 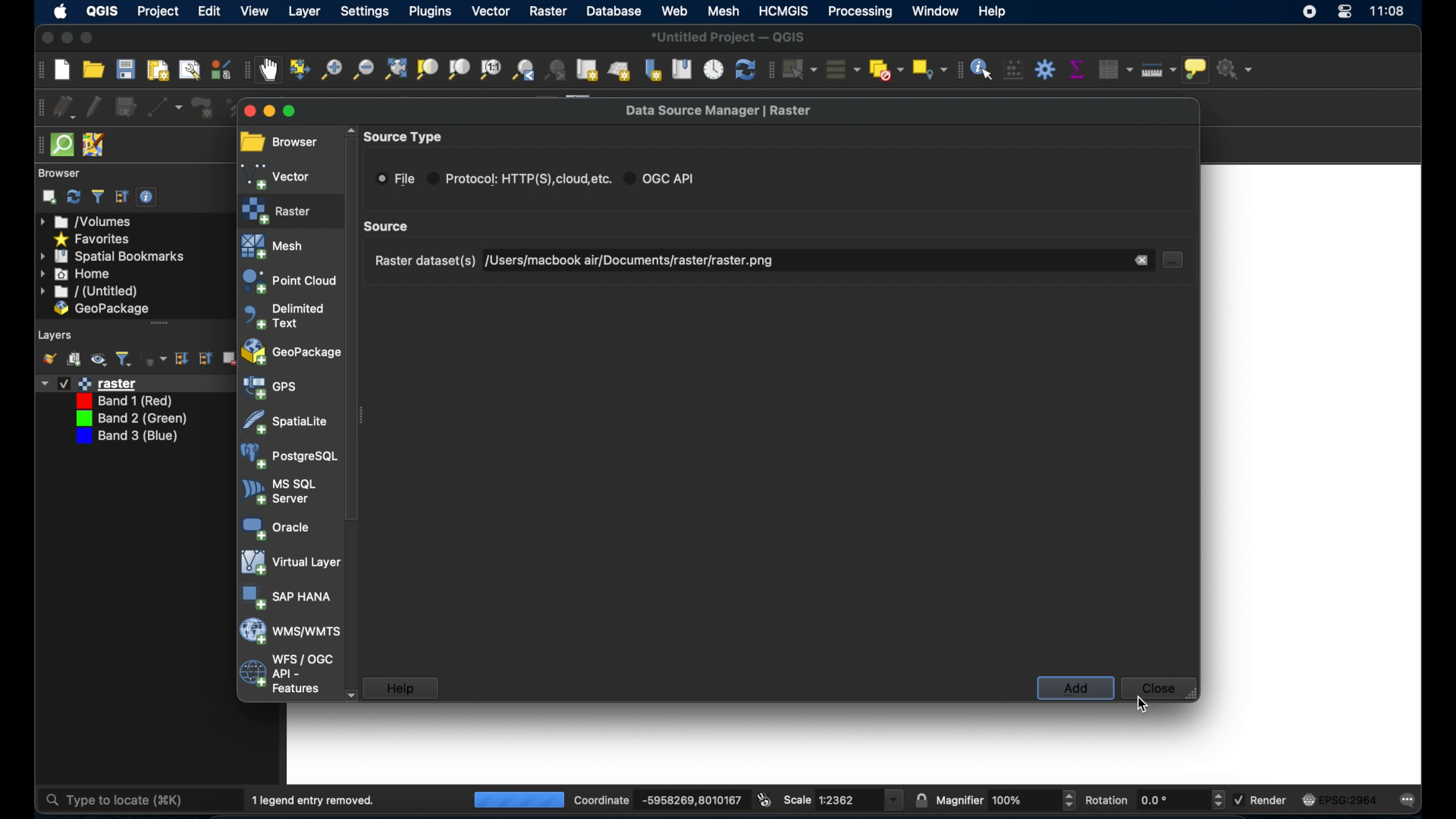 What do you see at coordinates (66, 38) in the screenshot?
I see `minimize` at bounding box center [66, 38].